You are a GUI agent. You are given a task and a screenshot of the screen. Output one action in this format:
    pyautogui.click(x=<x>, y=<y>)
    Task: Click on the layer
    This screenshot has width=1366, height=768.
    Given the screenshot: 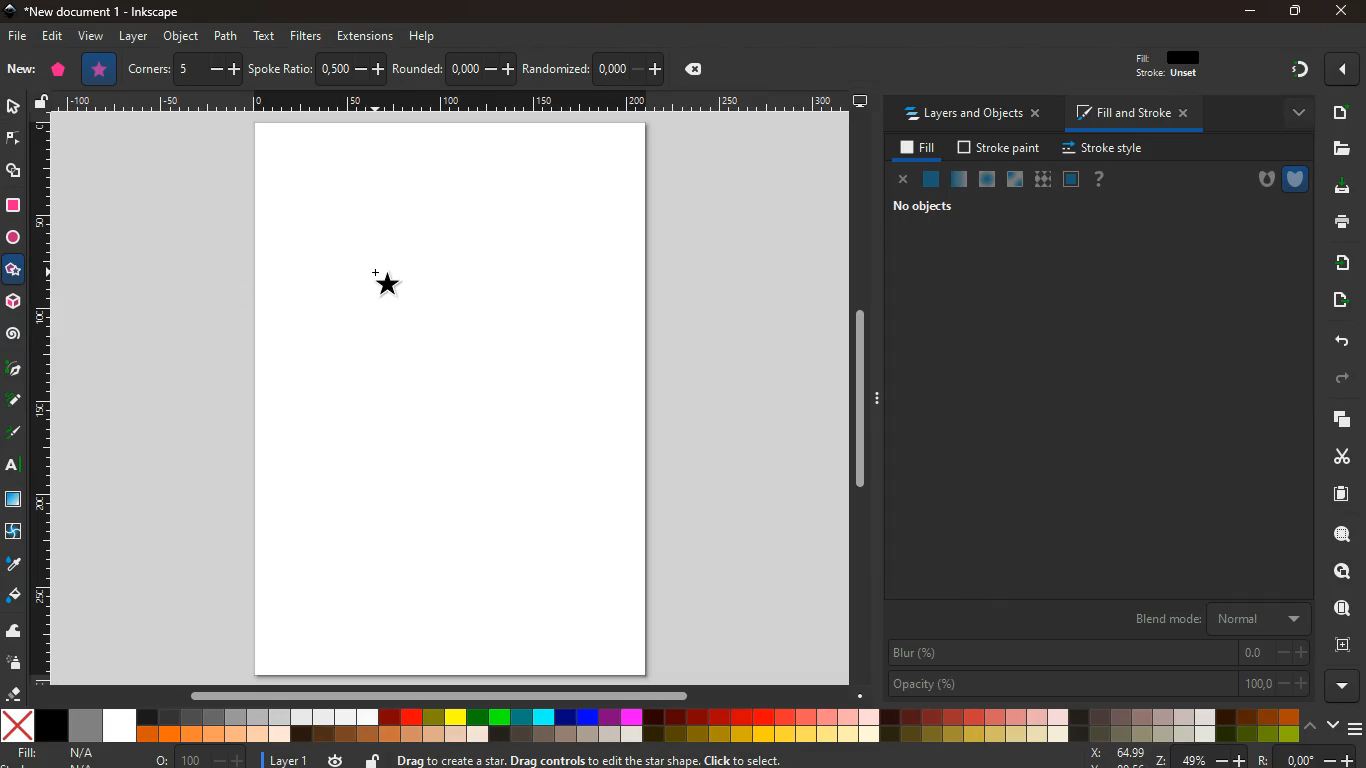 What is the action you would take?
    pyautogui.click(x=131, y=37)
    